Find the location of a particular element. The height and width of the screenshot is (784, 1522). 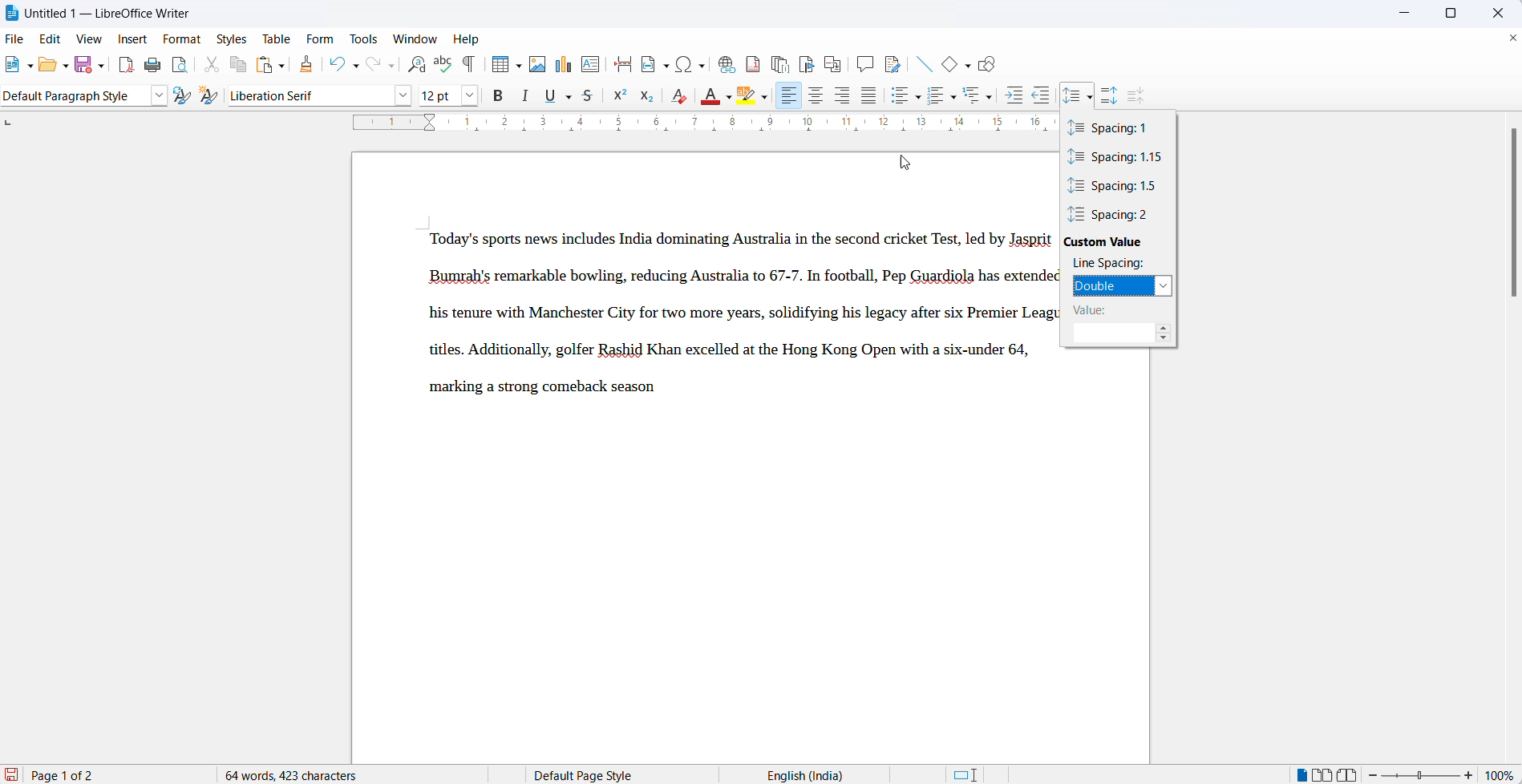

standard selection is located at coordinates (965, 774).